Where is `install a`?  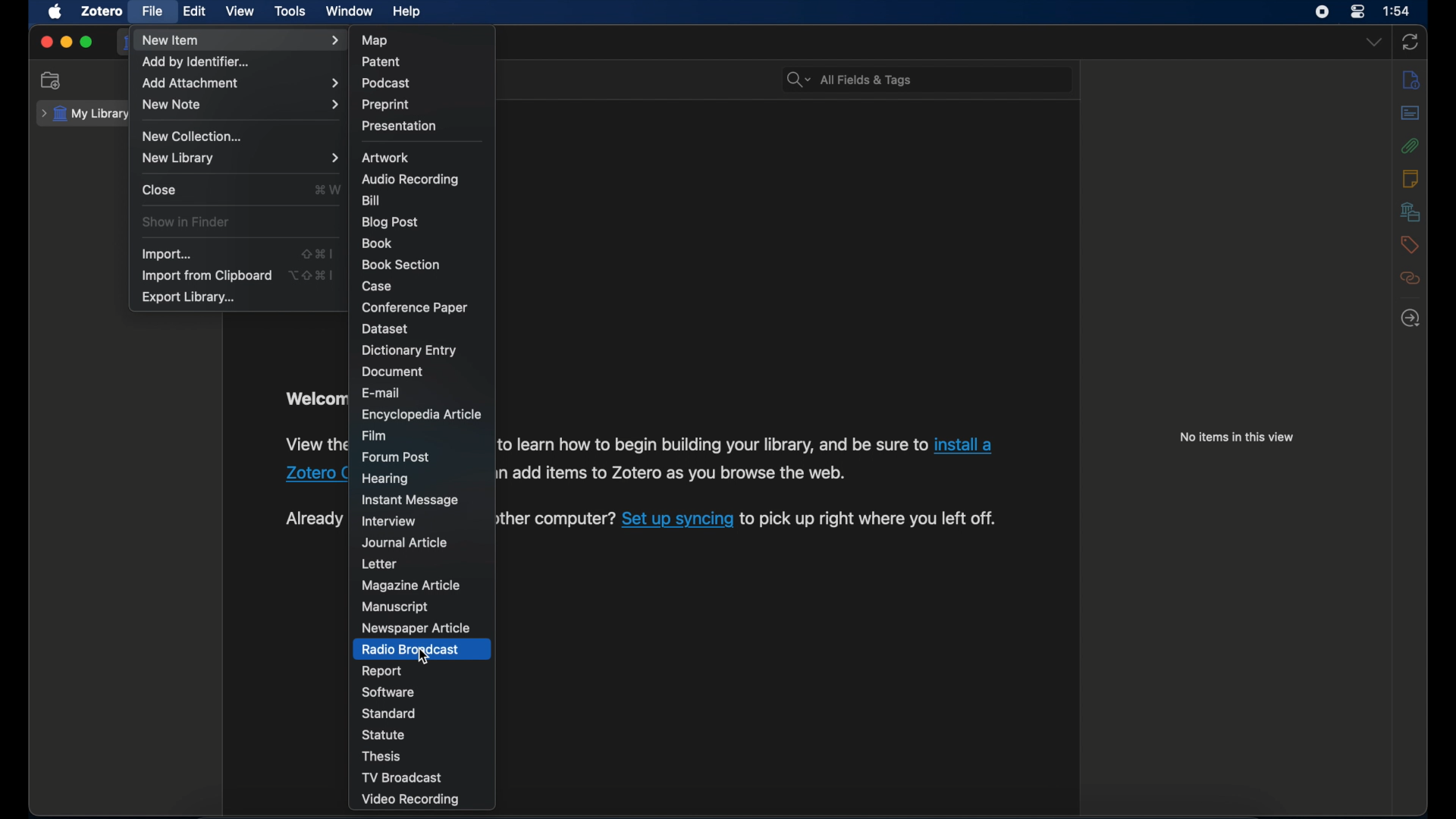 install a is located at coordinates (968, 444).